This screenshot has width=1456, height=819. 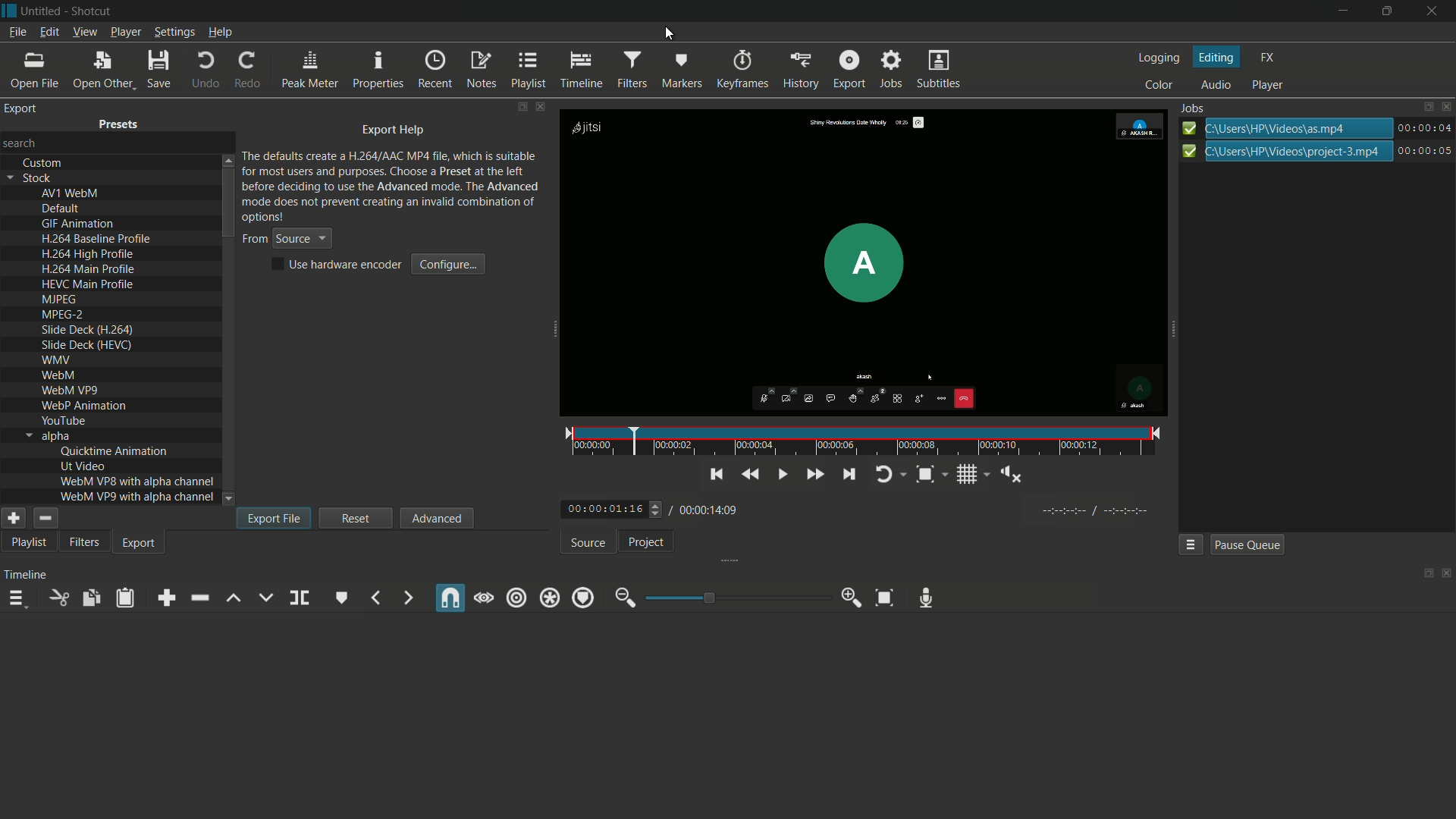 I want to click on previous marker, so click(x=375, y=598).